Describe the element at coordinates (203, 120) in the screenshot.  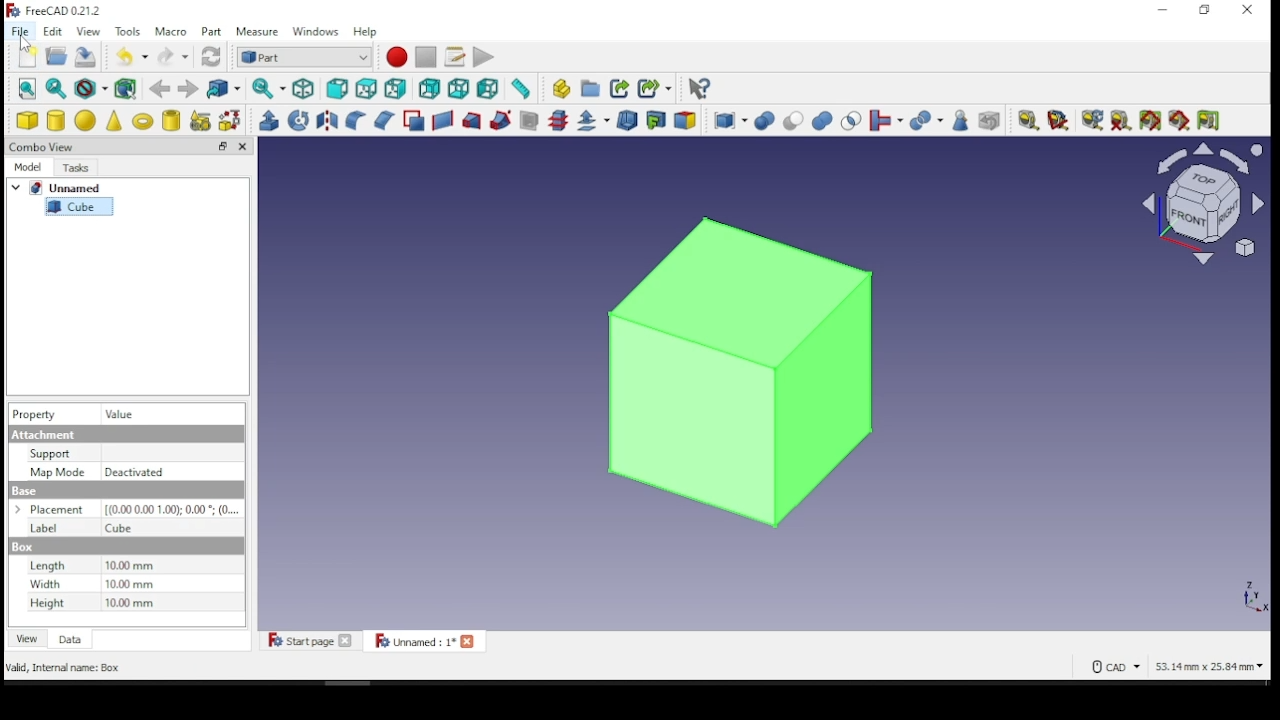
I see `create primitives` at that location.